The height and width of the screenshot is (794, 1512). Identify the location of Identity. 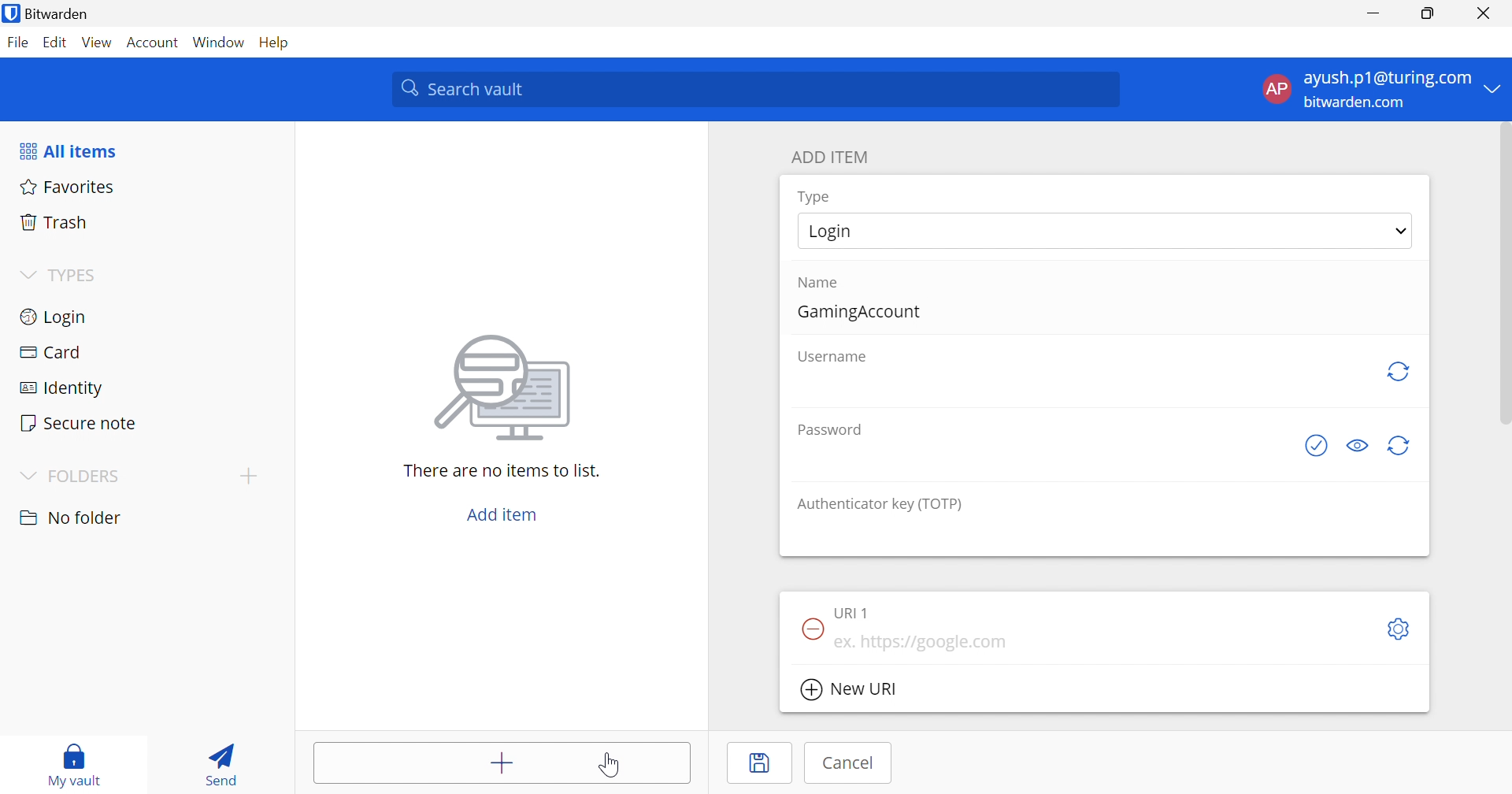
(63, 390).